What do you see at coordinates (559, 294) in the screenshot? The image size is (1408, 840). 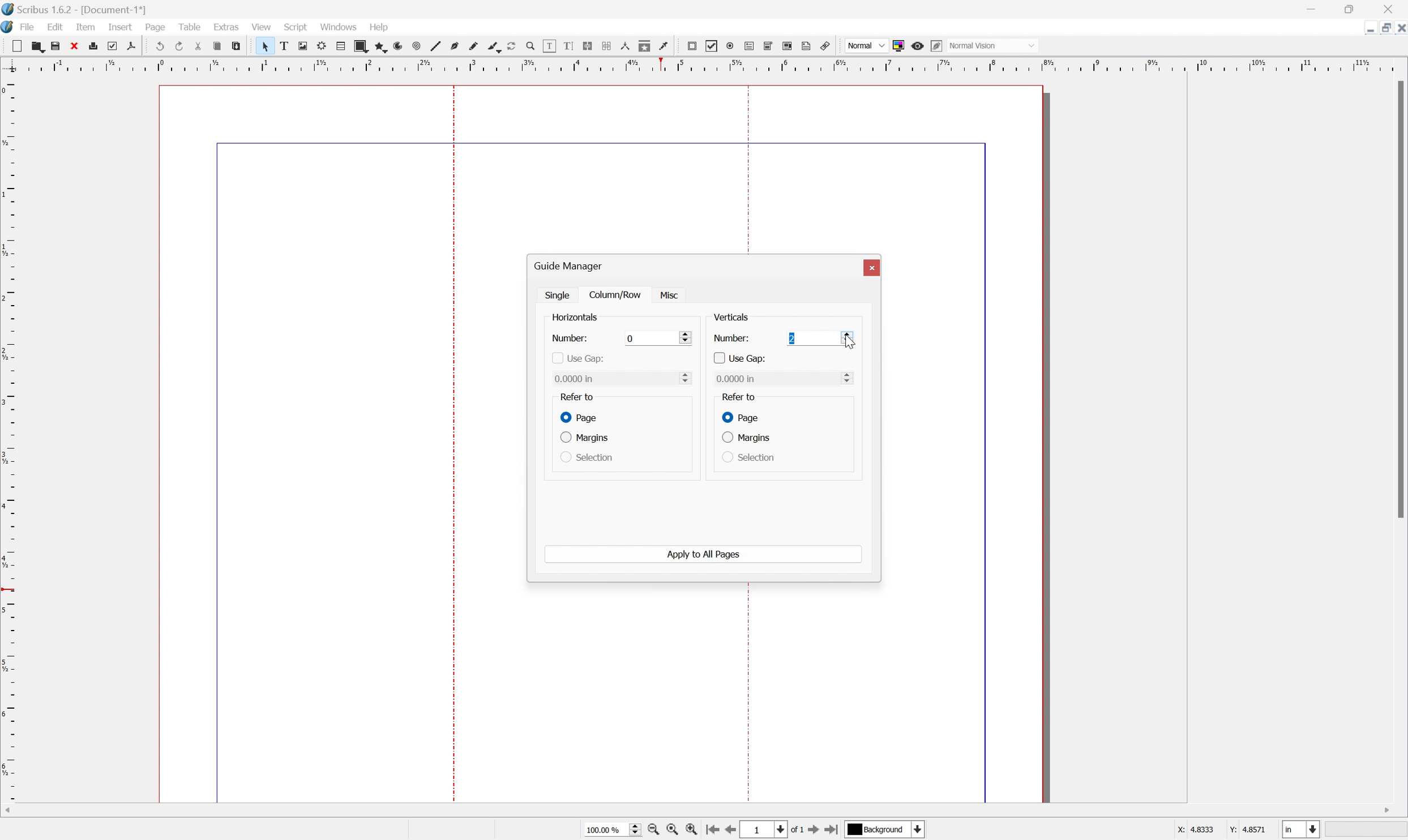 I see `single` at bounding box center [559, 294].